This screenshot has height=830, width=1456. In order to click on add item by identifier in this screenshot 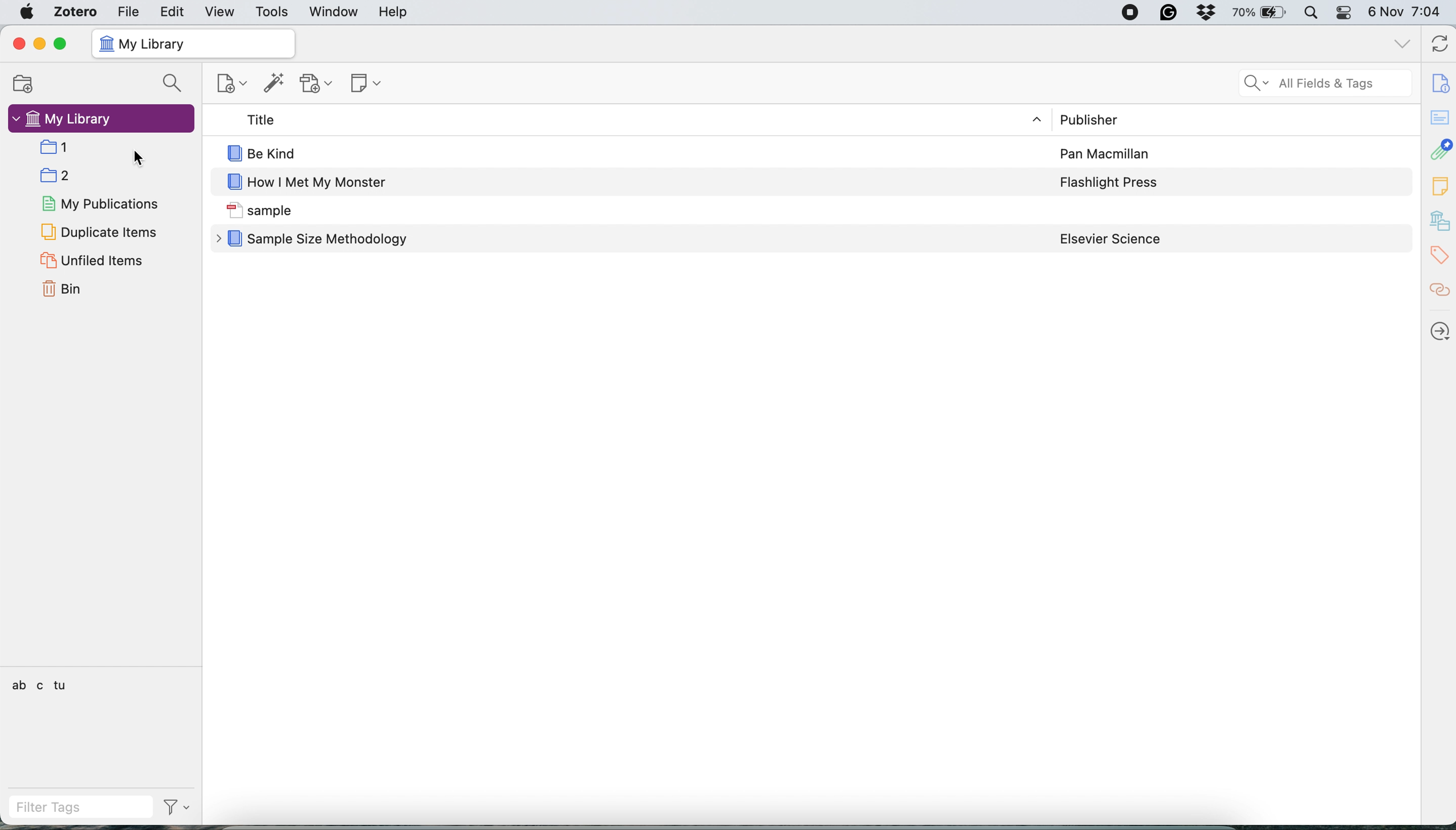, I will do `click(274, 83)`.